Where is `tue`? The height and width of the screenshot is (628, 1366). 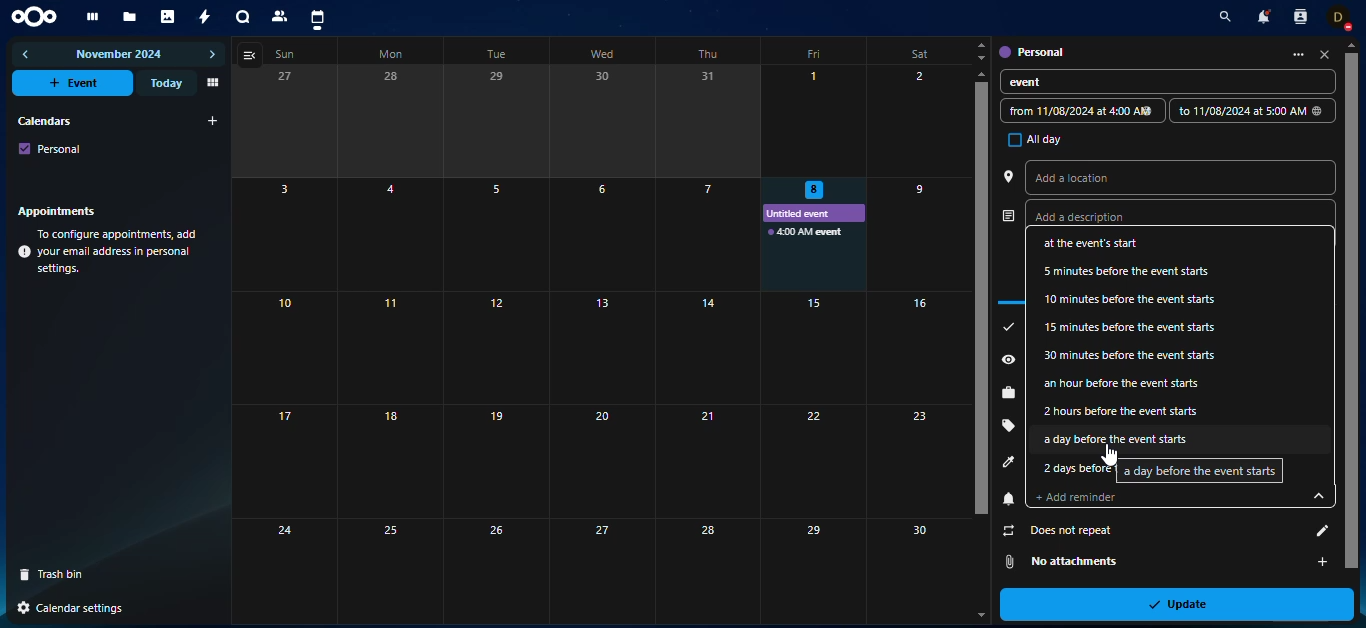 tue is located at coordinates (501, 54).